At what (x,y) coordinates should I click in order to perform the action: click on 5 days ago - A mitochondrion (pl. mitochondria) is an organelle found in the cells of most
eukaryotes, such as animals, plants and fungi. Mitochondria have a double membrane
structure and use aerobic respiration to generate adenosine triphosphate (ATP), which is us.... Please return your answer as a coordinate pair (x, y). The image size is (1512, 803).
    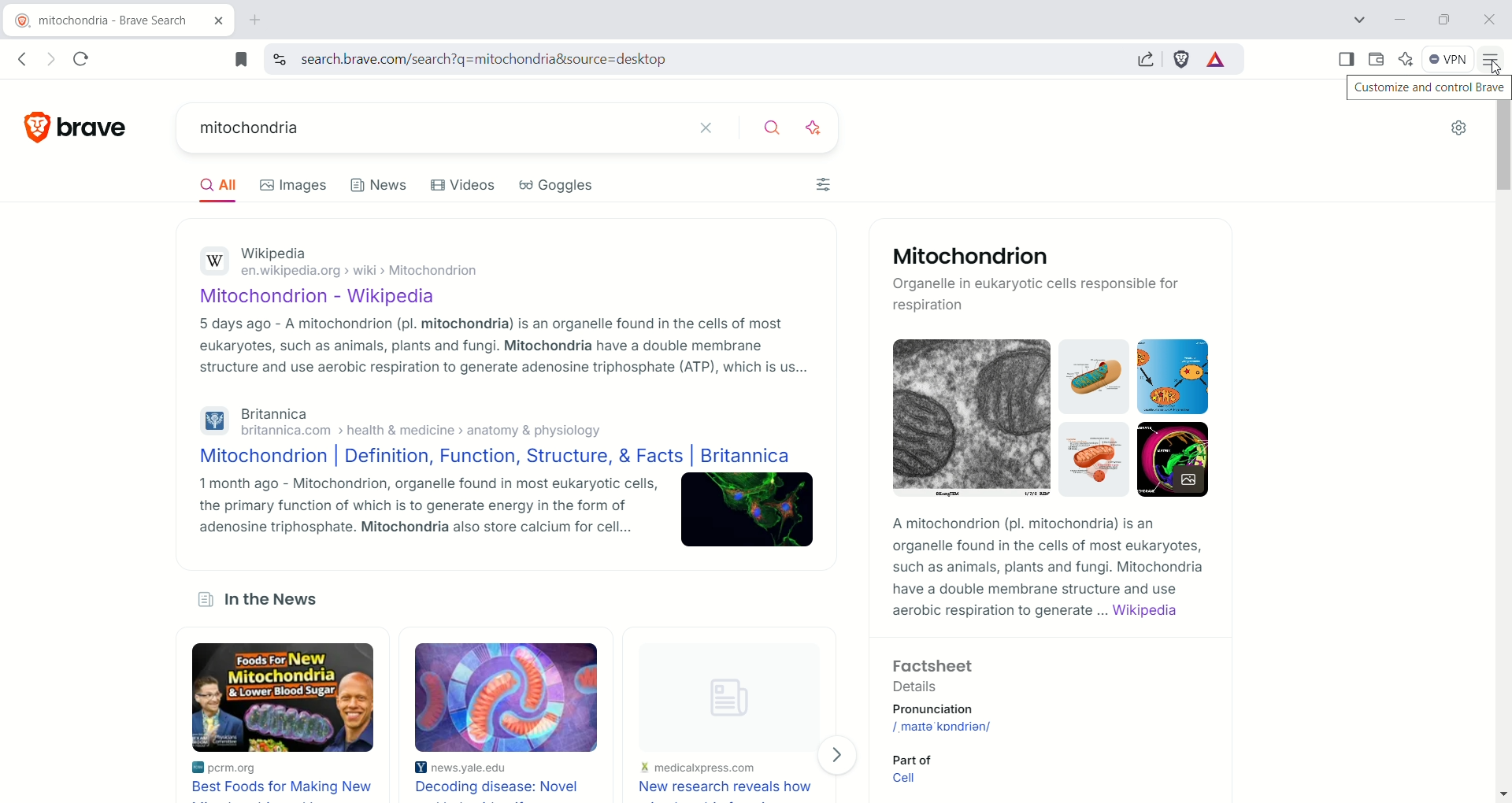
    Looking at the image, I should click on (485, 348).